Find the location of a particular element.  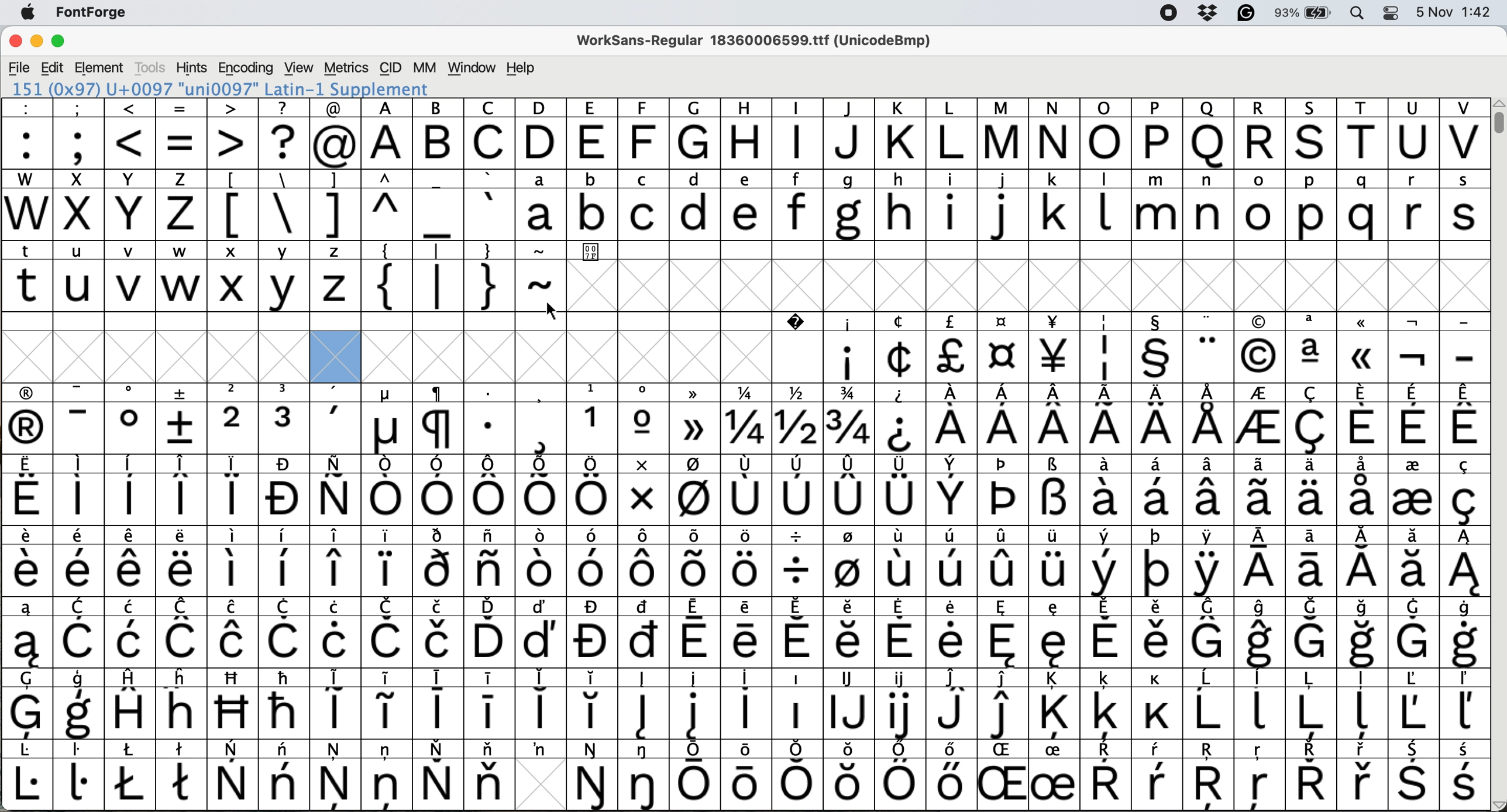

symbol is located at coordinates (1414, 776).